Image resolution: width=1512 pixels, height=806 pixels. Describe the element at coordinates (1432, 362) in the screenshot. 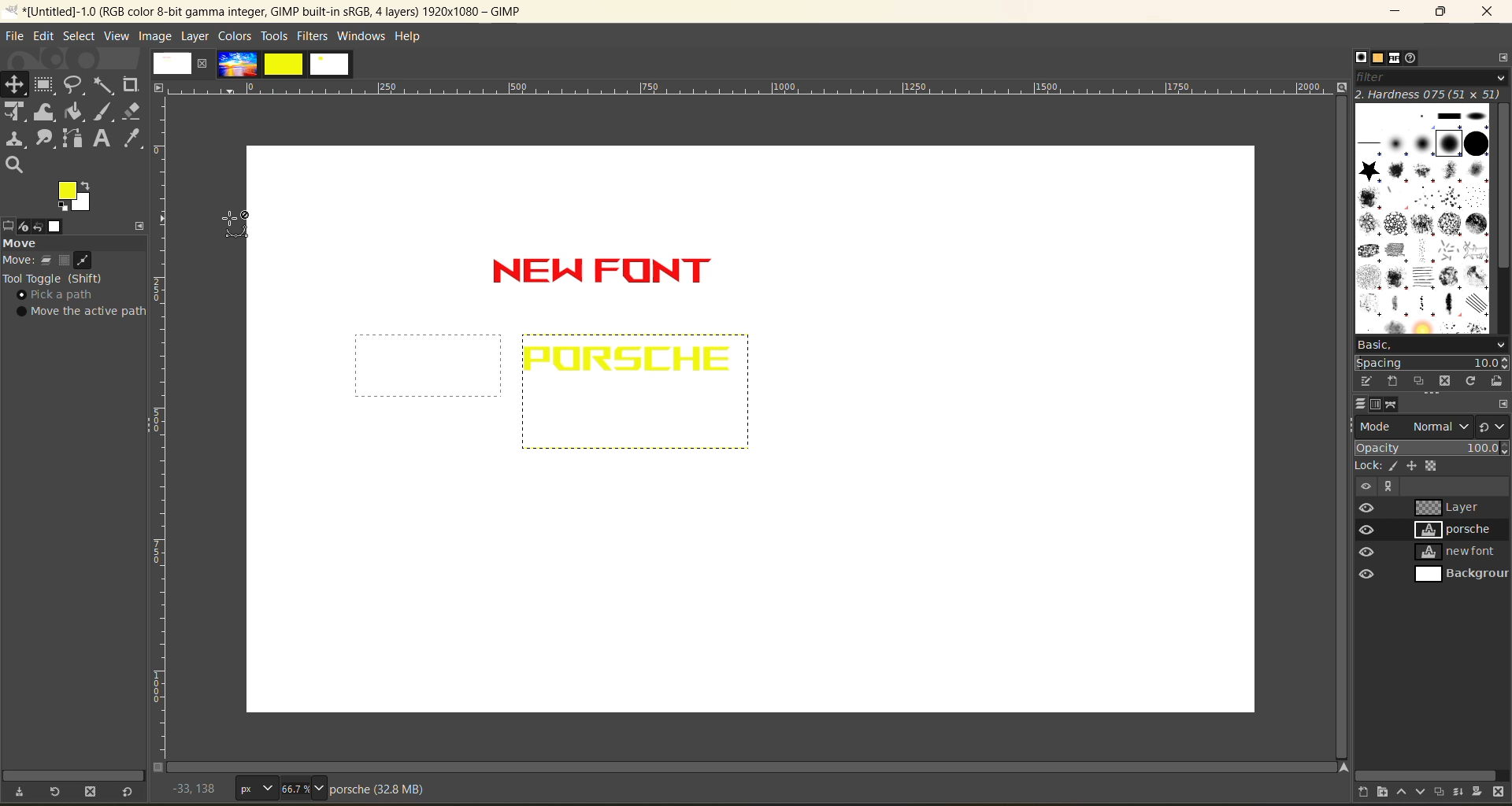

I see `spacing` at that location.